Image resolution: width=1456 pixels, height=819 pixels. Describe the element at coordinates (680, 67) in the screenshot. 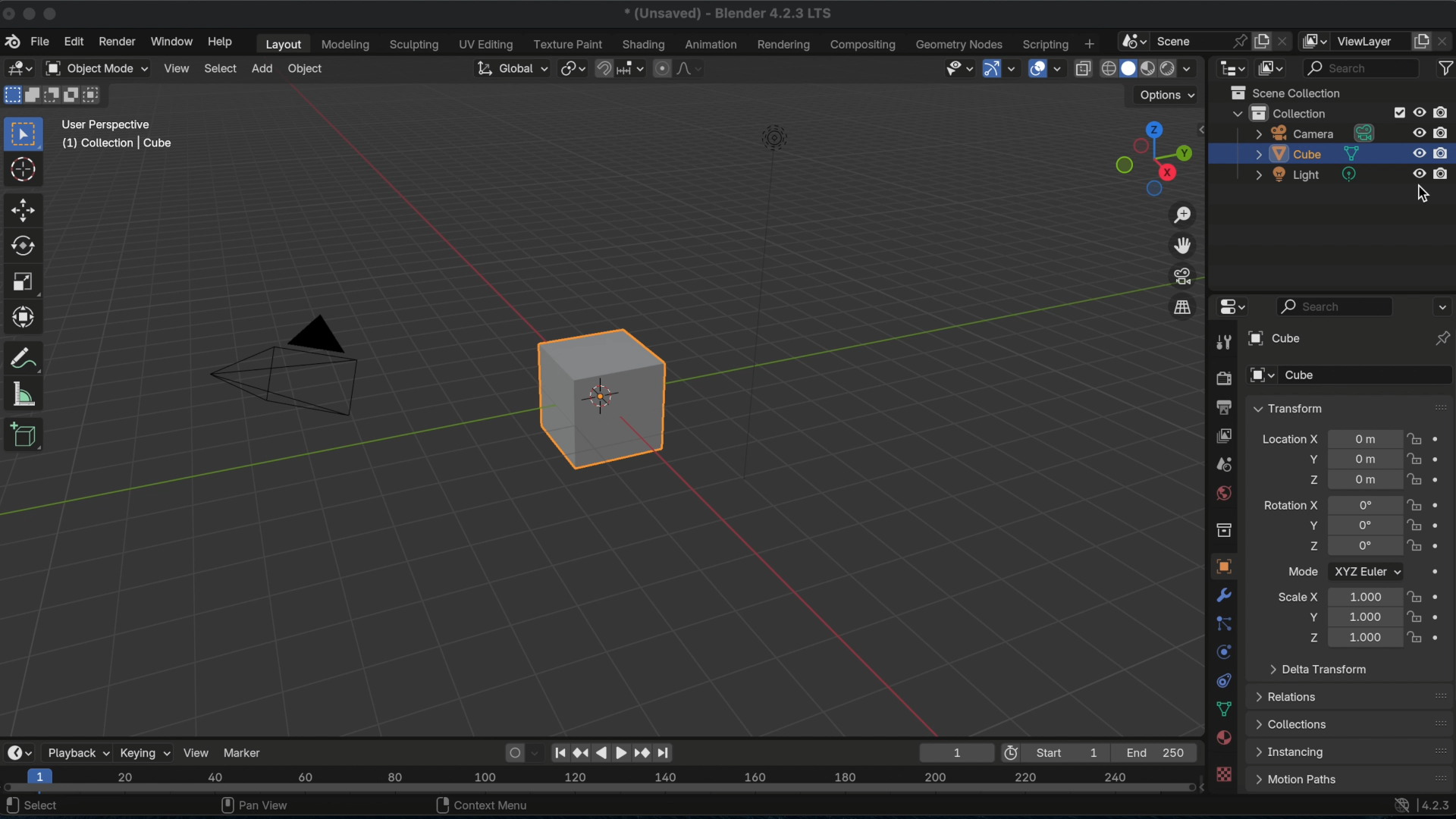

I see `proportional editing falloff` at that location.